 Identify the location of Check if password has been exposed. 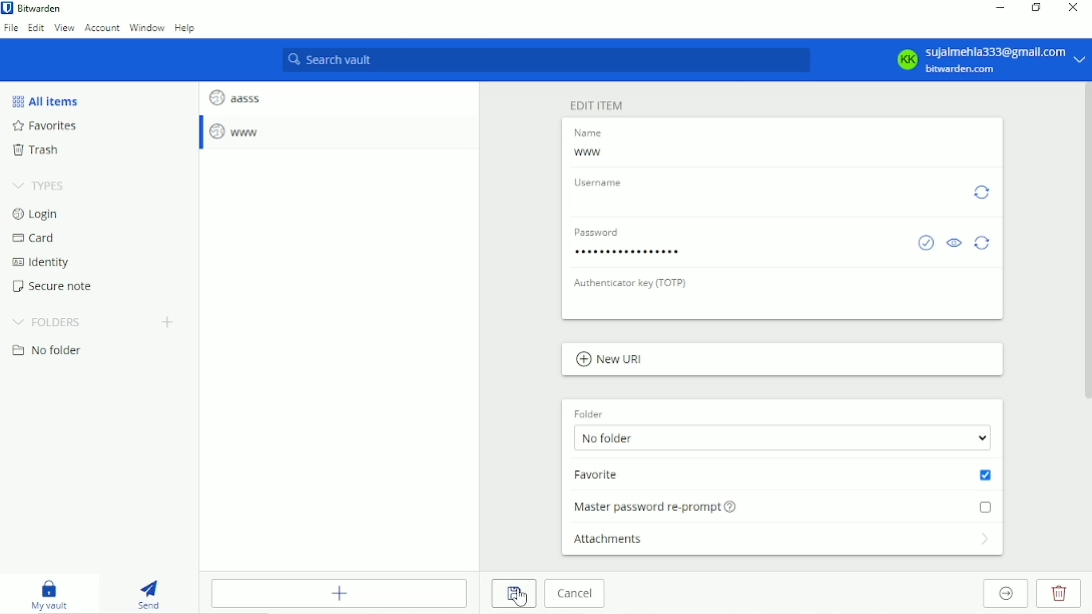
(925, 243).